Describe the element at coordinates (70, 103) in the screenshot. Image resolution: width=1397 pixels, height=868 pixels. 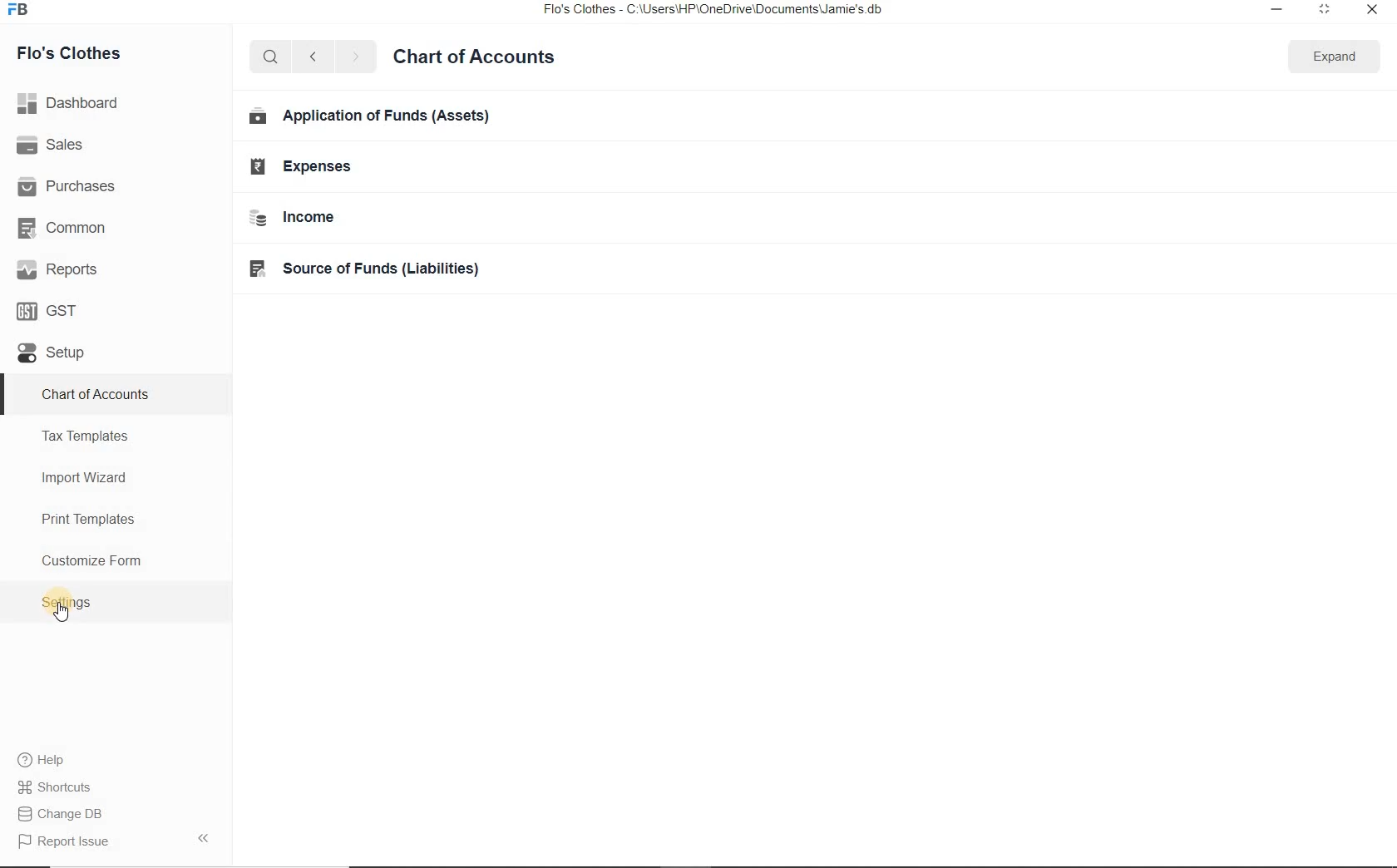
I see `dashboard` at that location.